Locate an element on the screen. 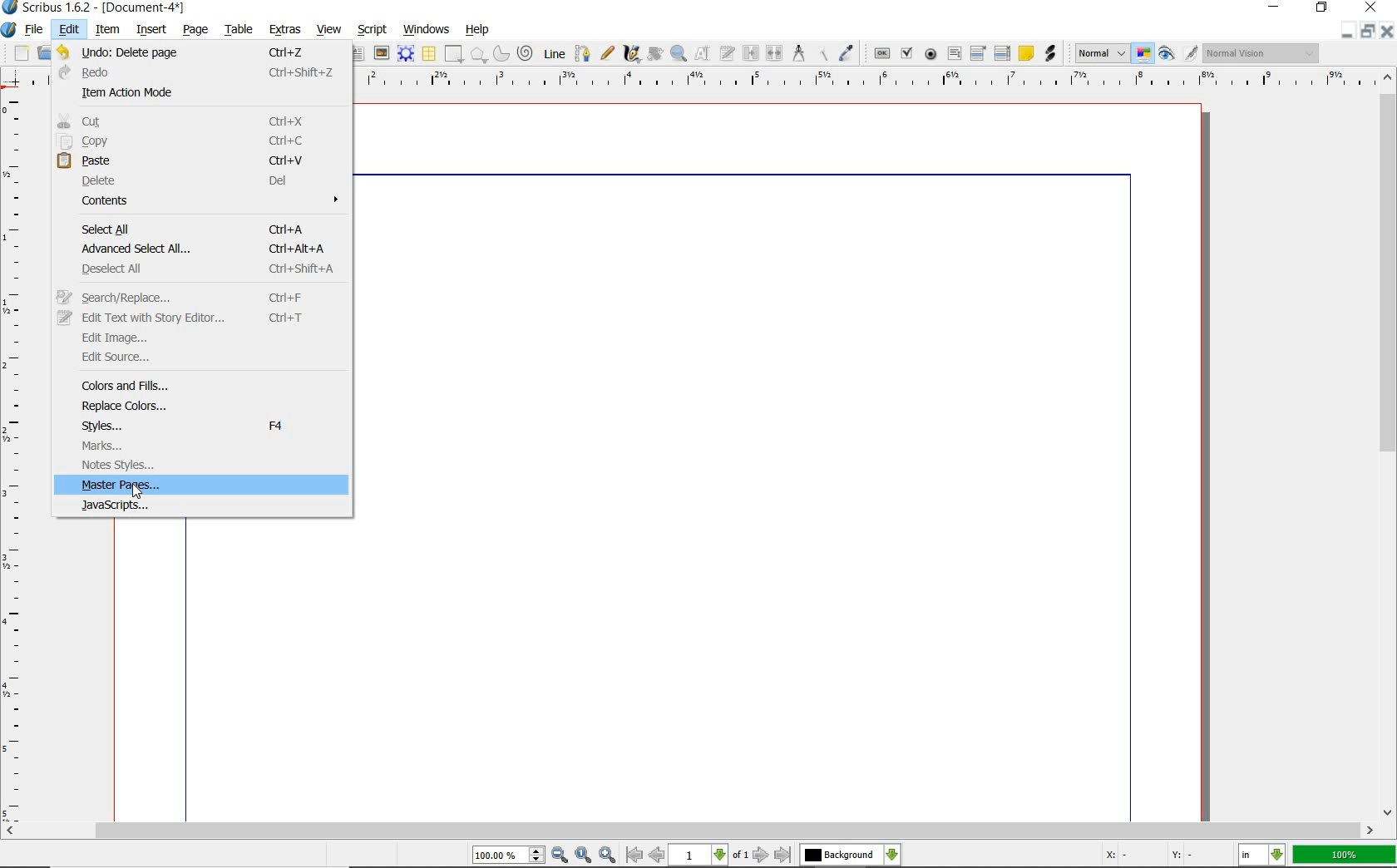 This screenshot has width=1397, height=868. styles is located at coordinates (212, 426).